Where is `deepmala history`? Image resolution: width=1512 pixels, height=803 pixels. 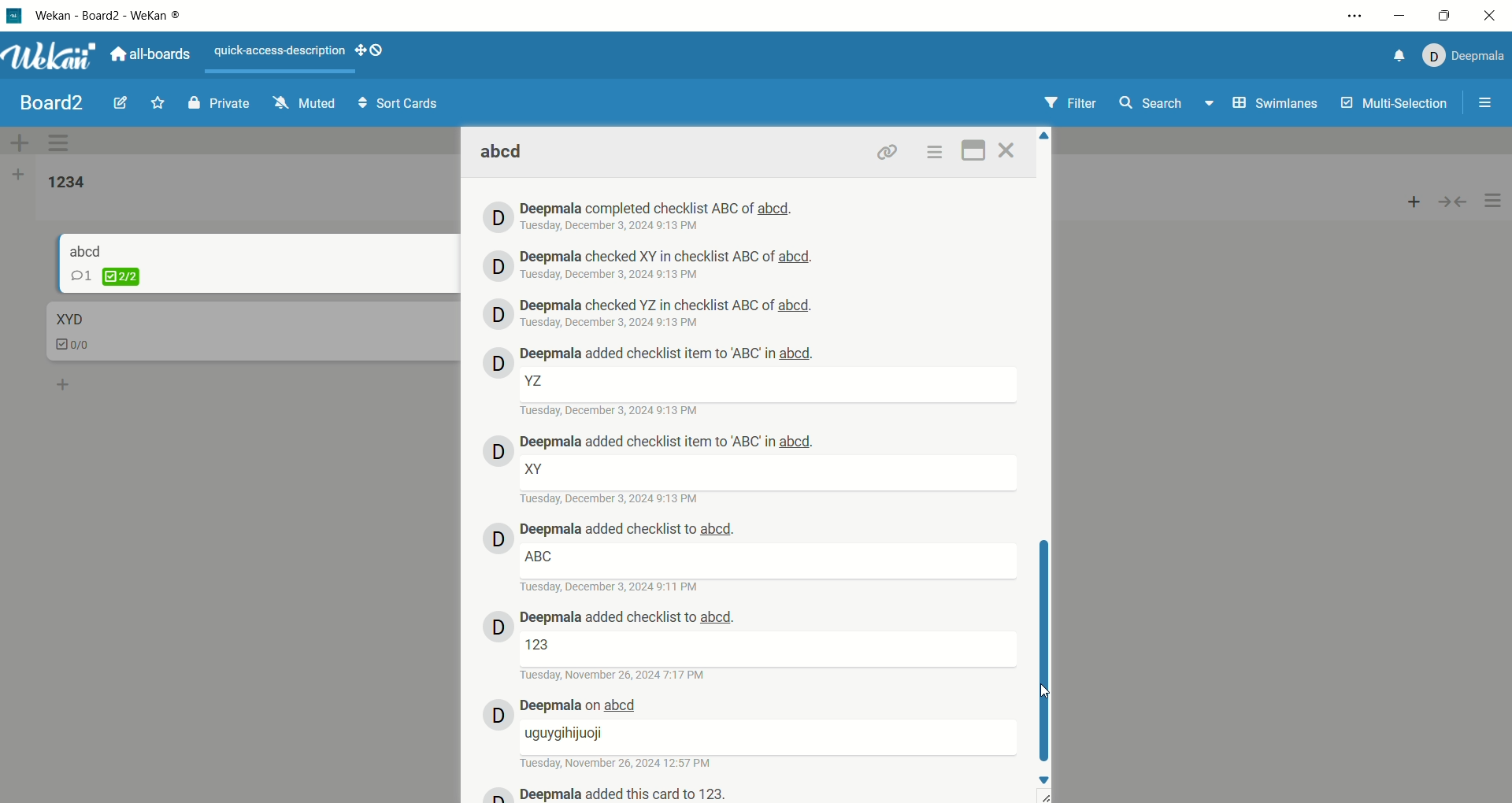
deepmala history is located at coordinates (628, 619).